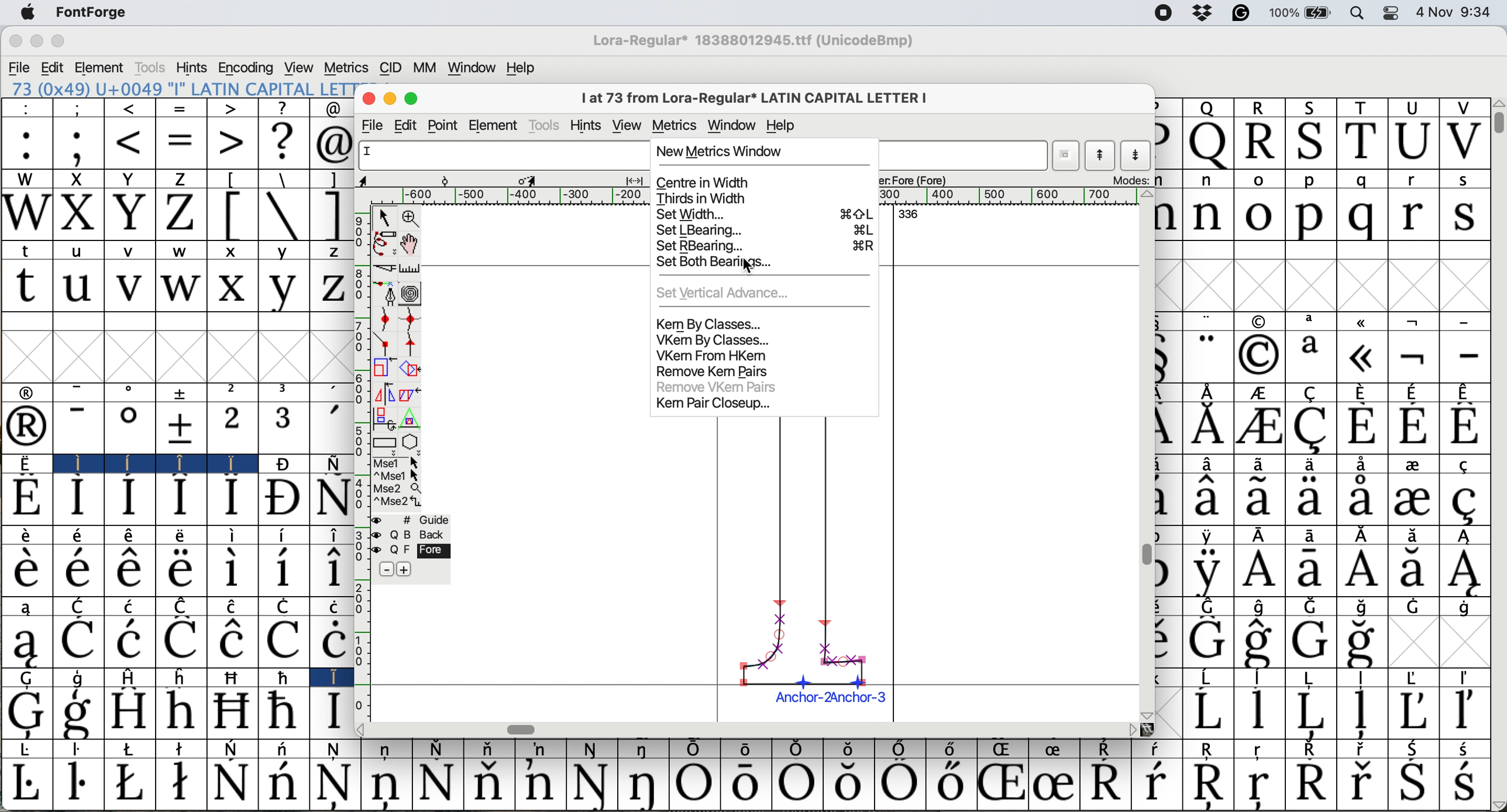  Describe the element at coordinates (1466, 181) in the screenshot. I see `s` at that location.